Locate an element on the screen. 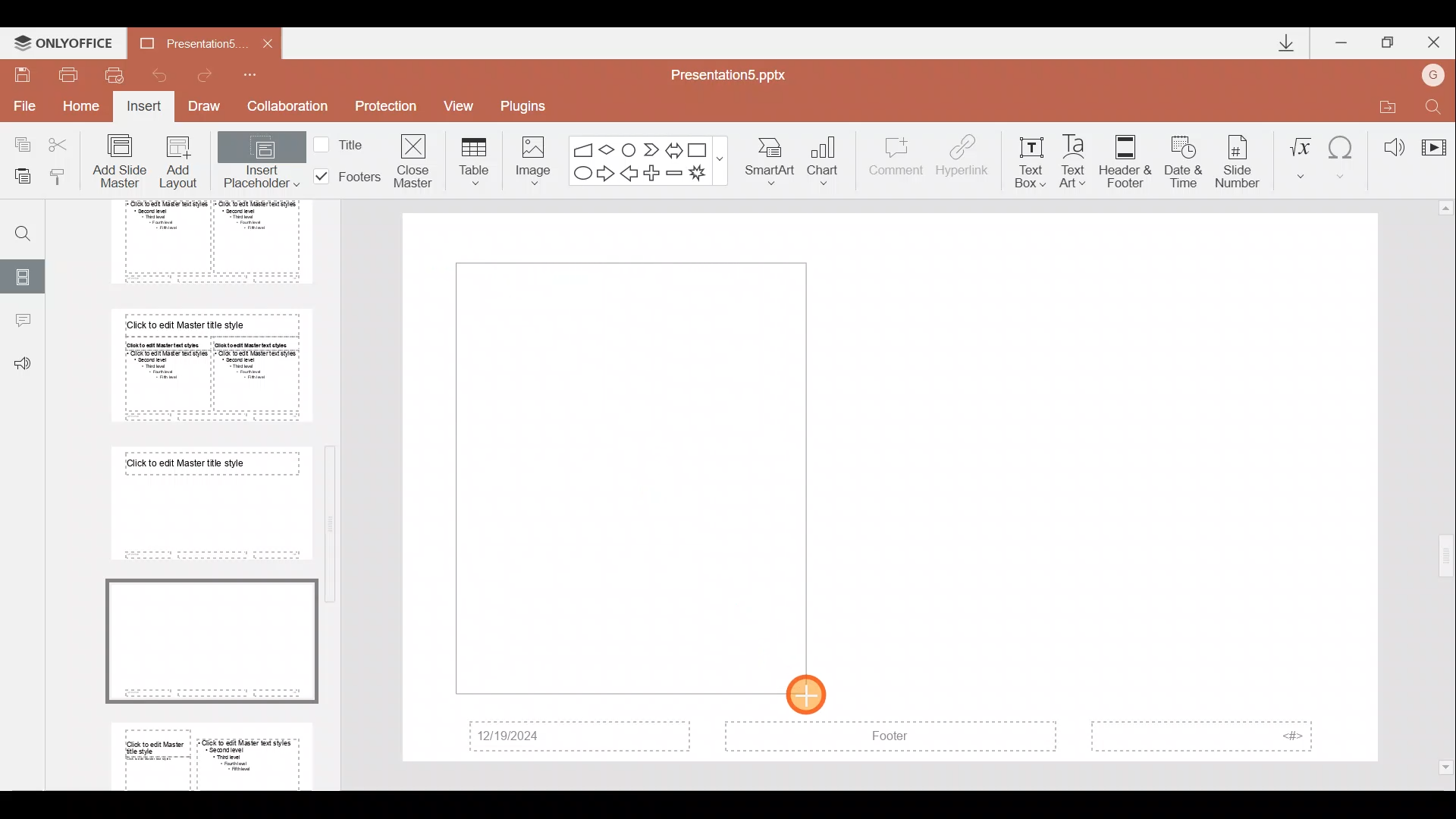  Copy style is located at coordinates (64, 176).